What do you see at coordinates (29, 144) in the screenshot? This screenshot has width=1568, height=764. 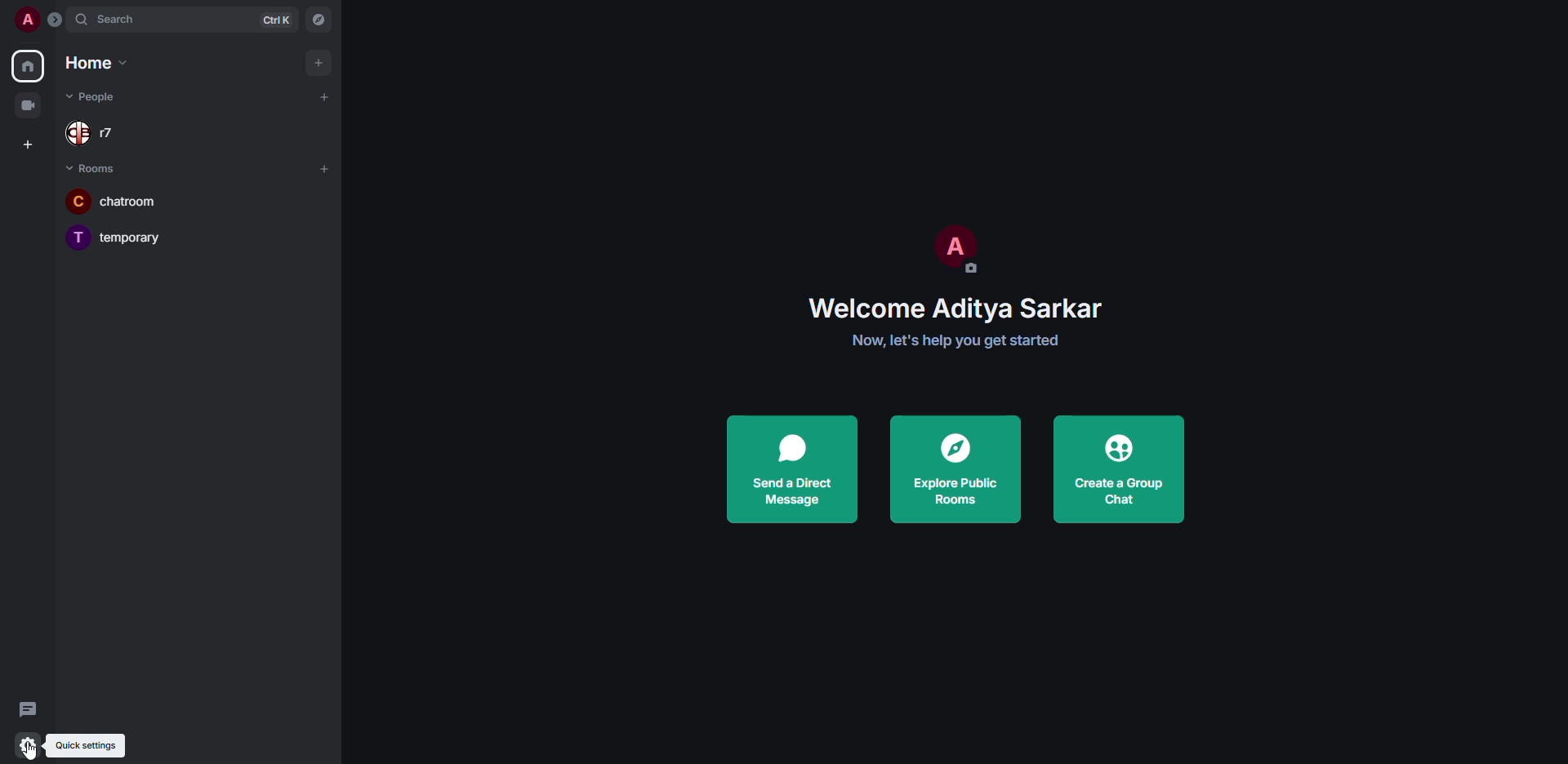 I see `create space` at bounding box center [29, 144].